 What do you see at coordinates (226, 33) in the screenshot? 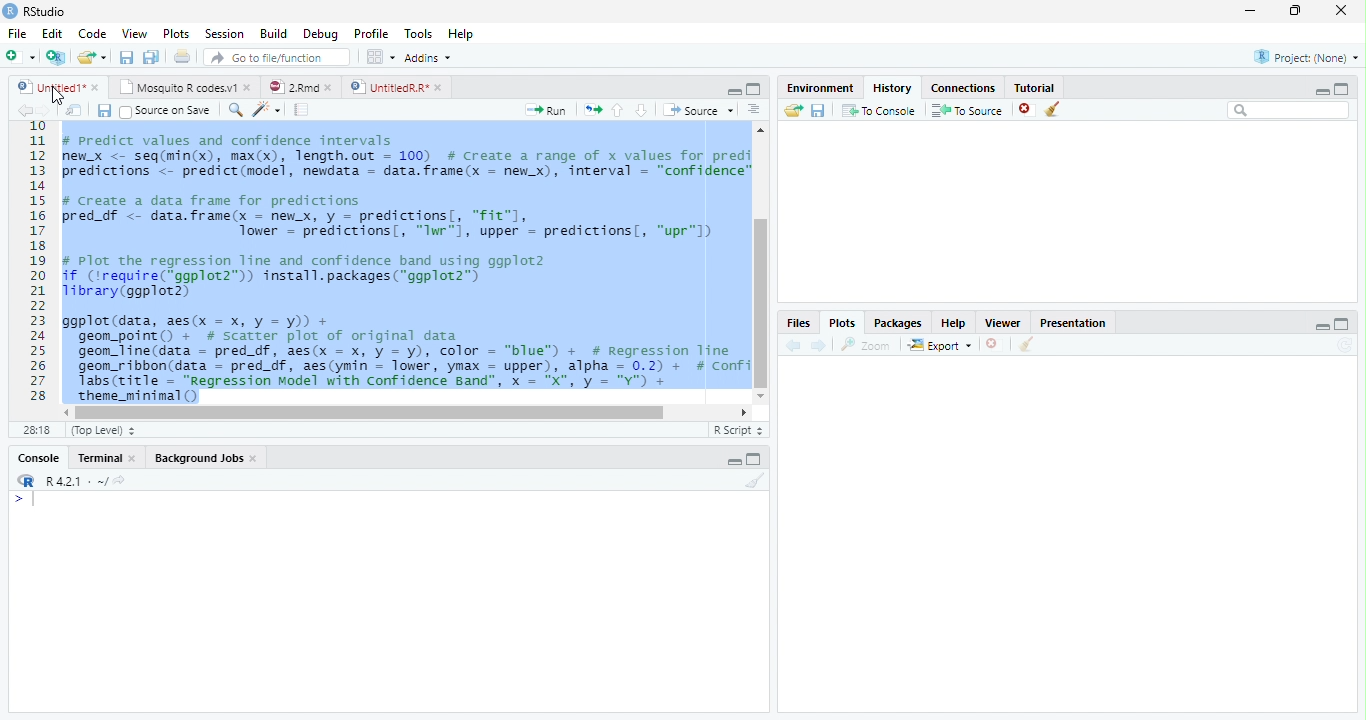
I see `Session` at bounding box center [226, 33].